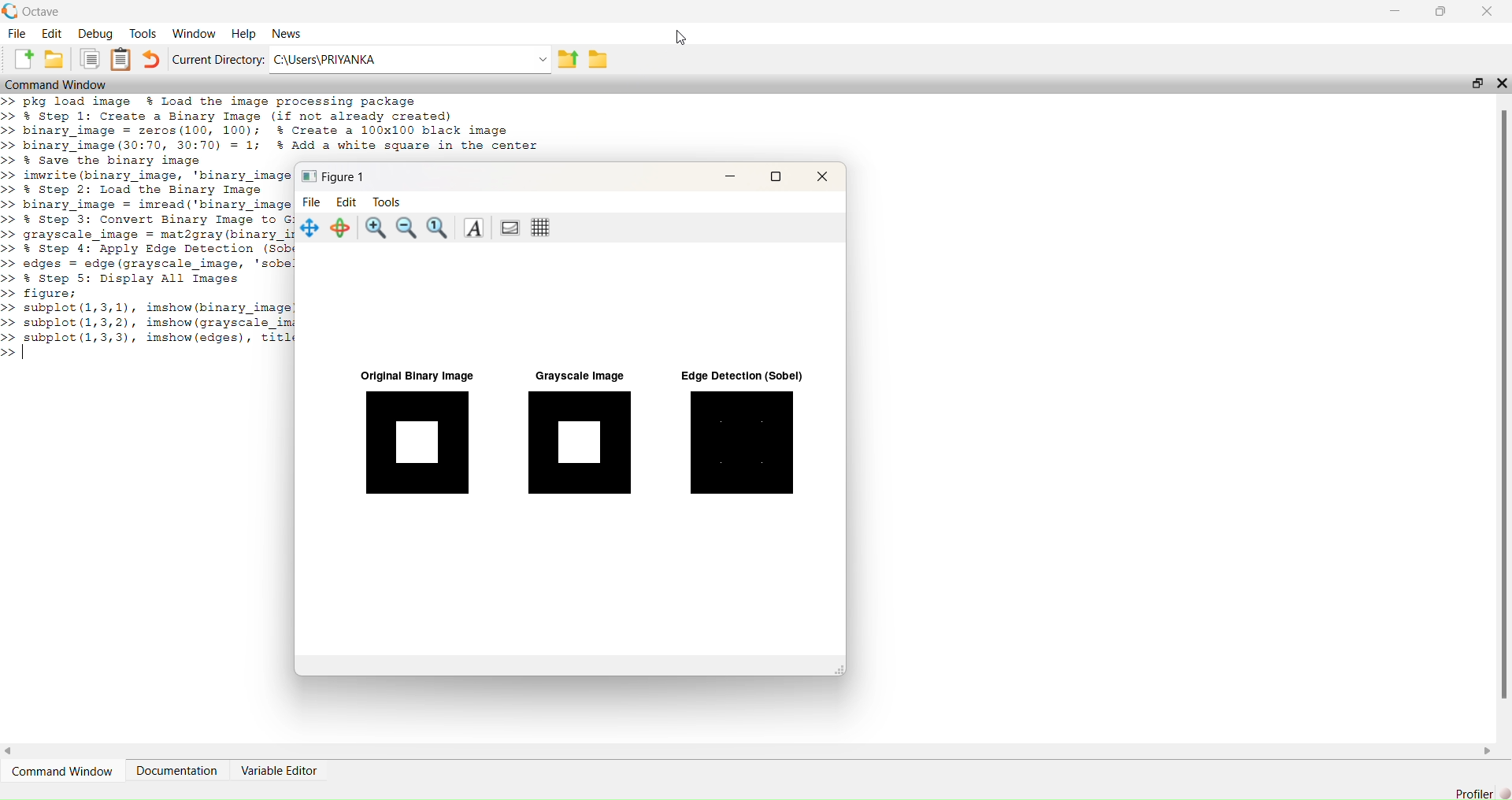 This screenshot has width=1512, height=800. I want to click on share folder, so click(569, 59).